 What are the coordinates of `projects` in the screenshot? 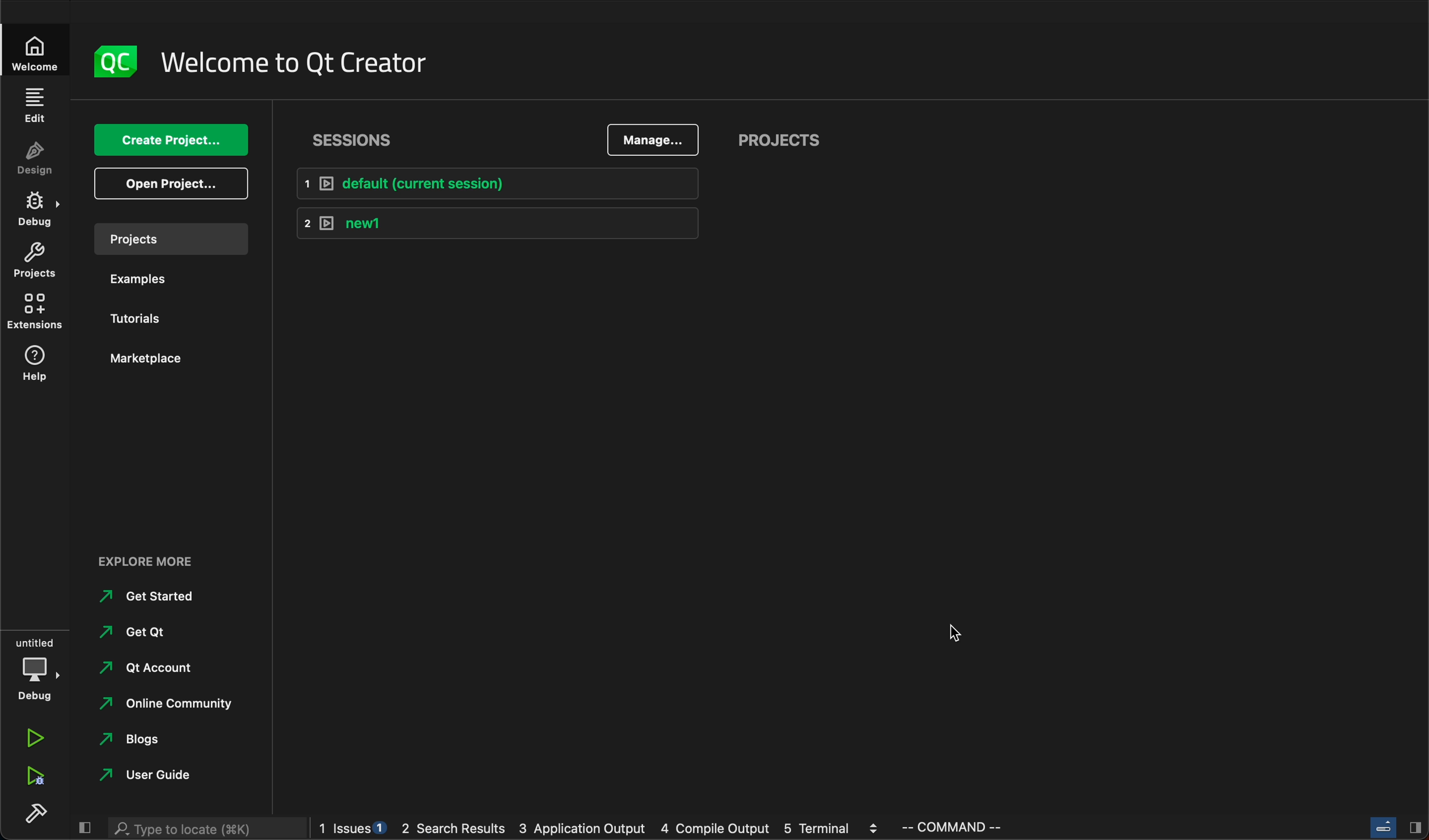 It's located at (171, 242).